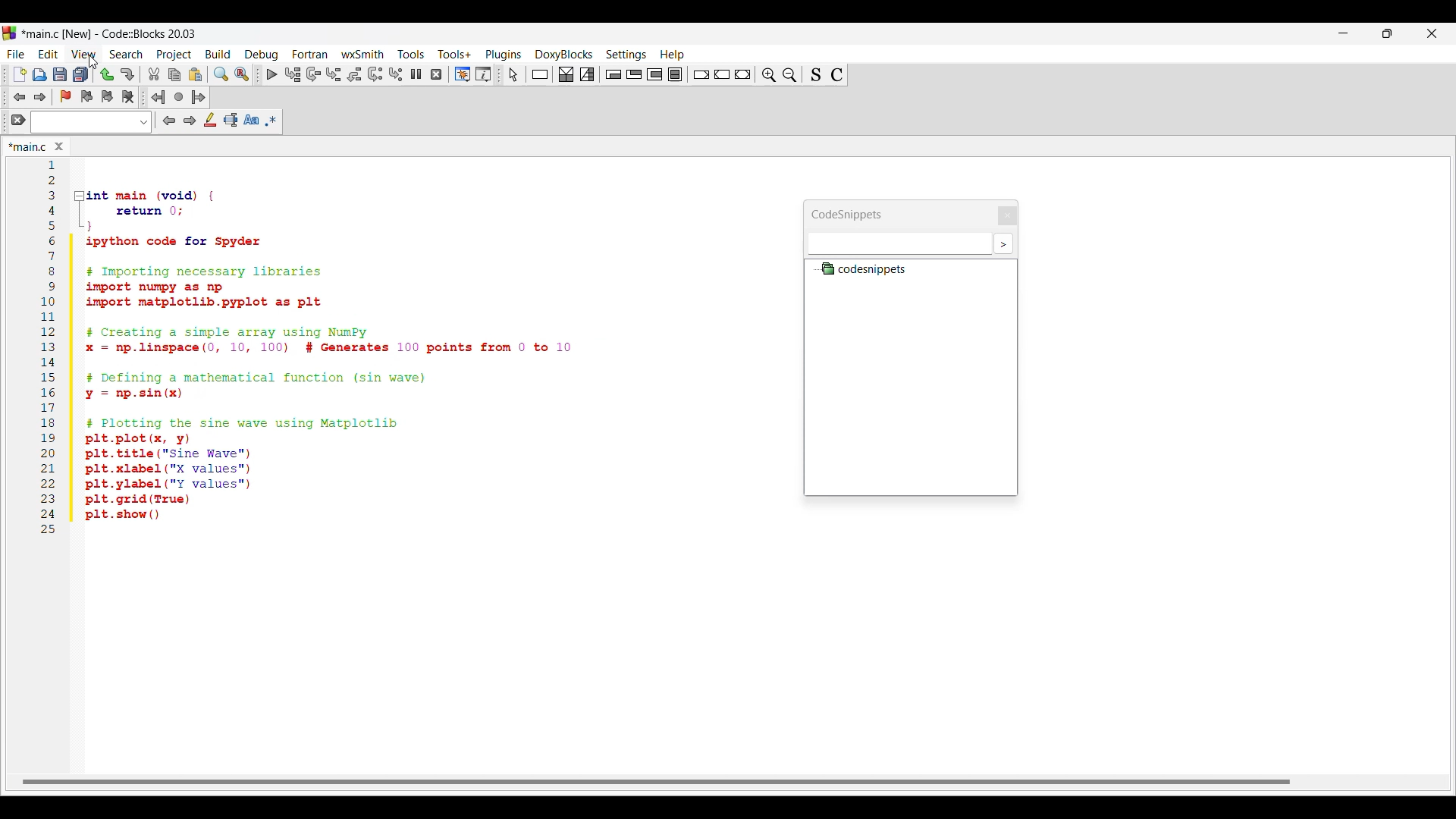 The image size is (1456, 819). I want to click on Toggle next, so click(107, 97).